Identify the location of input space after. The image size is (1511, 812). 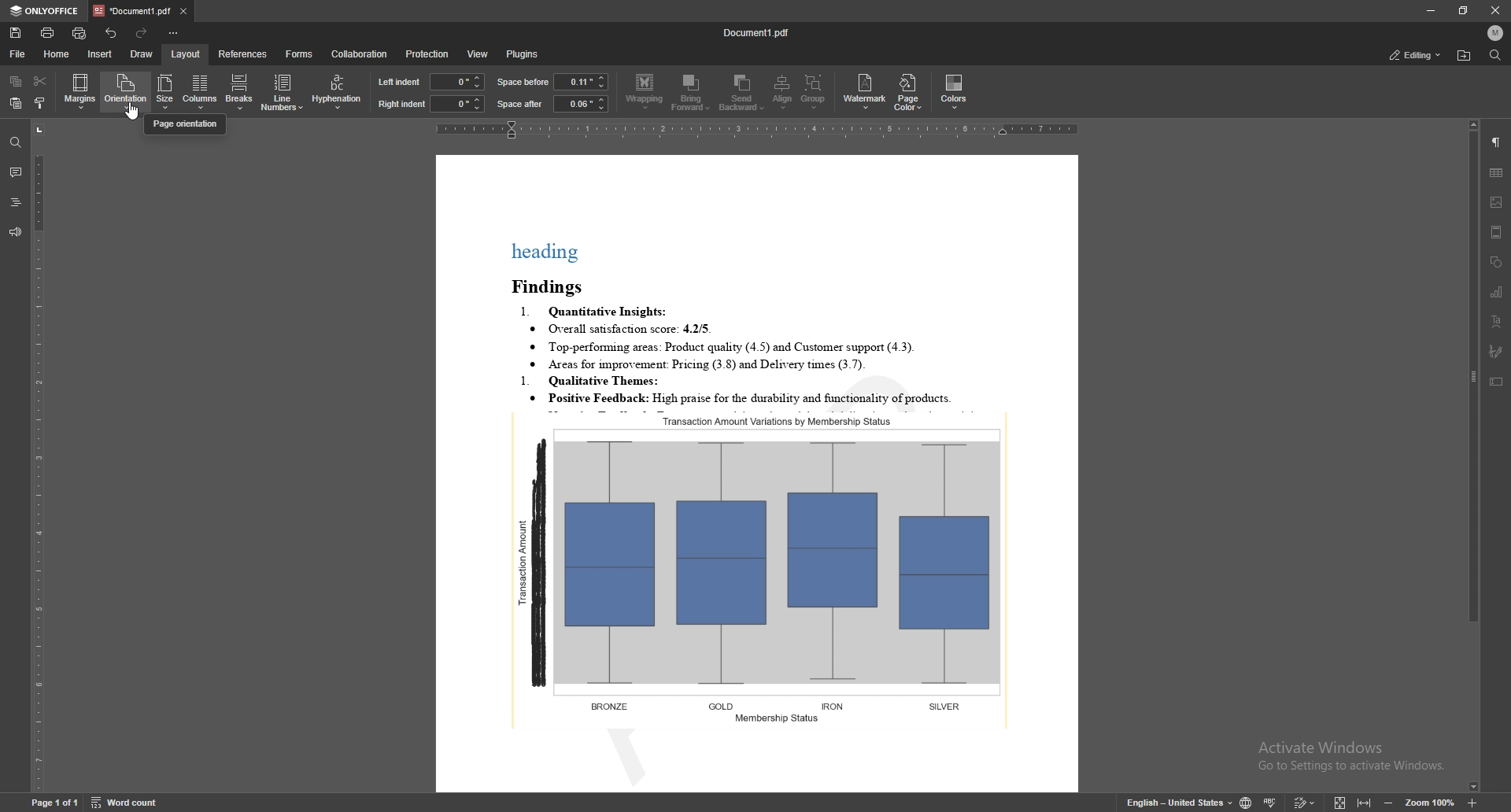
(579, 104).